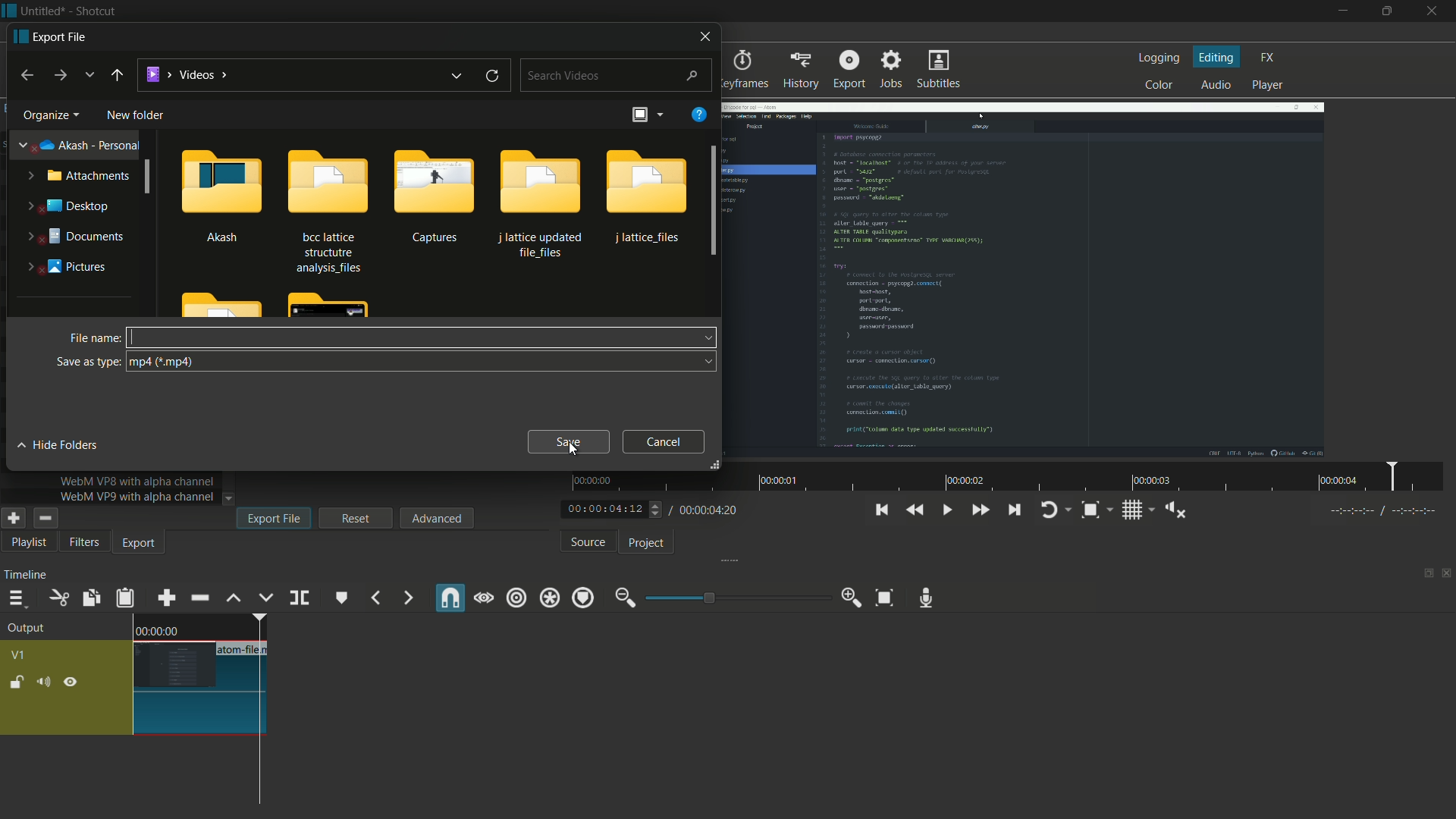 The image size is (1456, 819). What do you see at coordinates (803, 71) in the screenshot?
I see `history` at bounding box center [803, 71].